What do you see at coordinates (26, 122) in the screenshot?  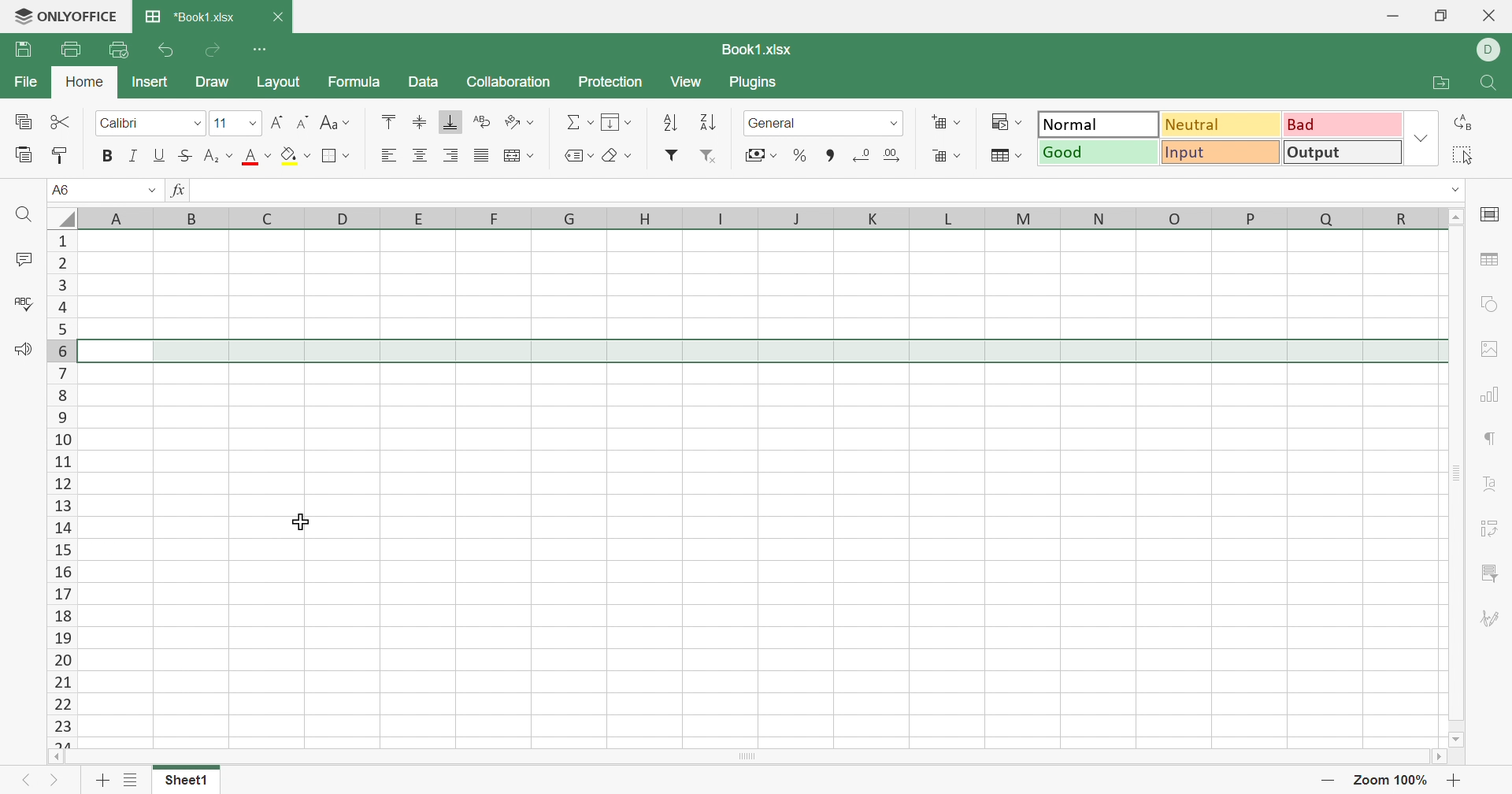 I see `Copy` at bounding box center [26, 122].